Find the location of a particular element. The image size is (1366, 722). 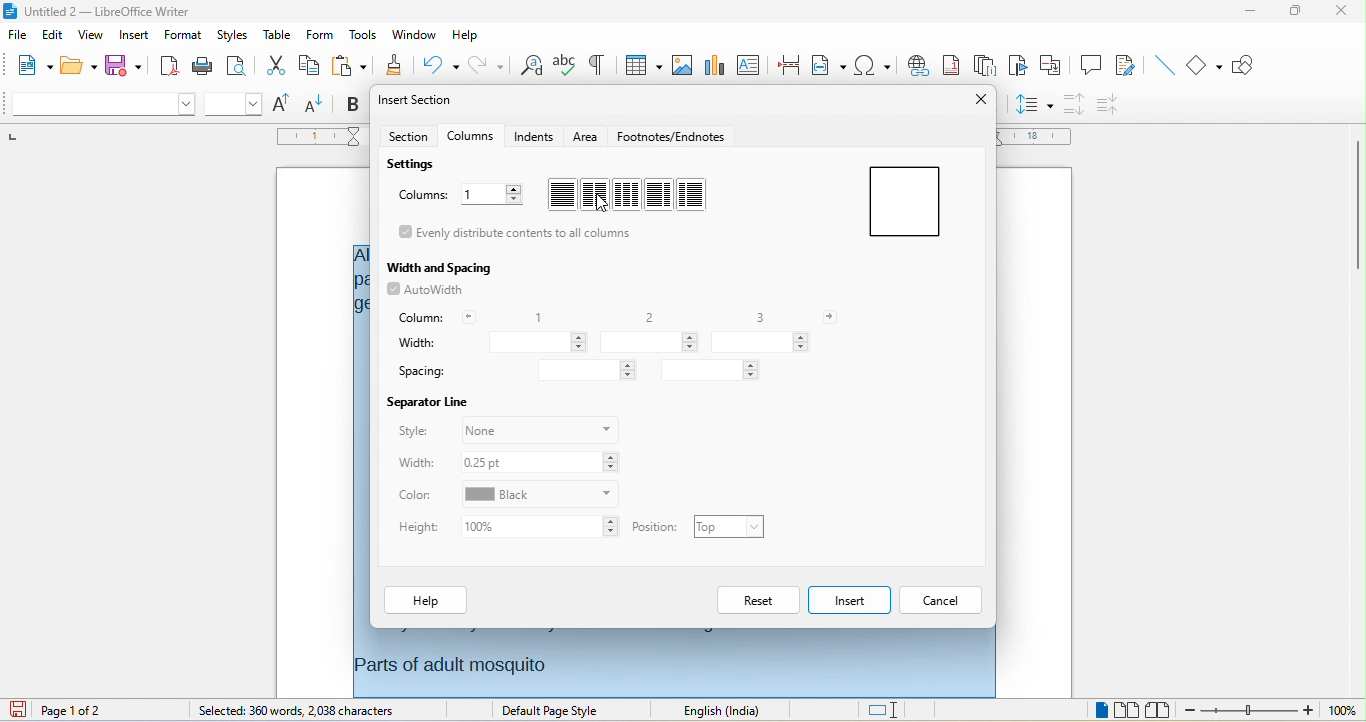

column is located at coordinates (435, 316).